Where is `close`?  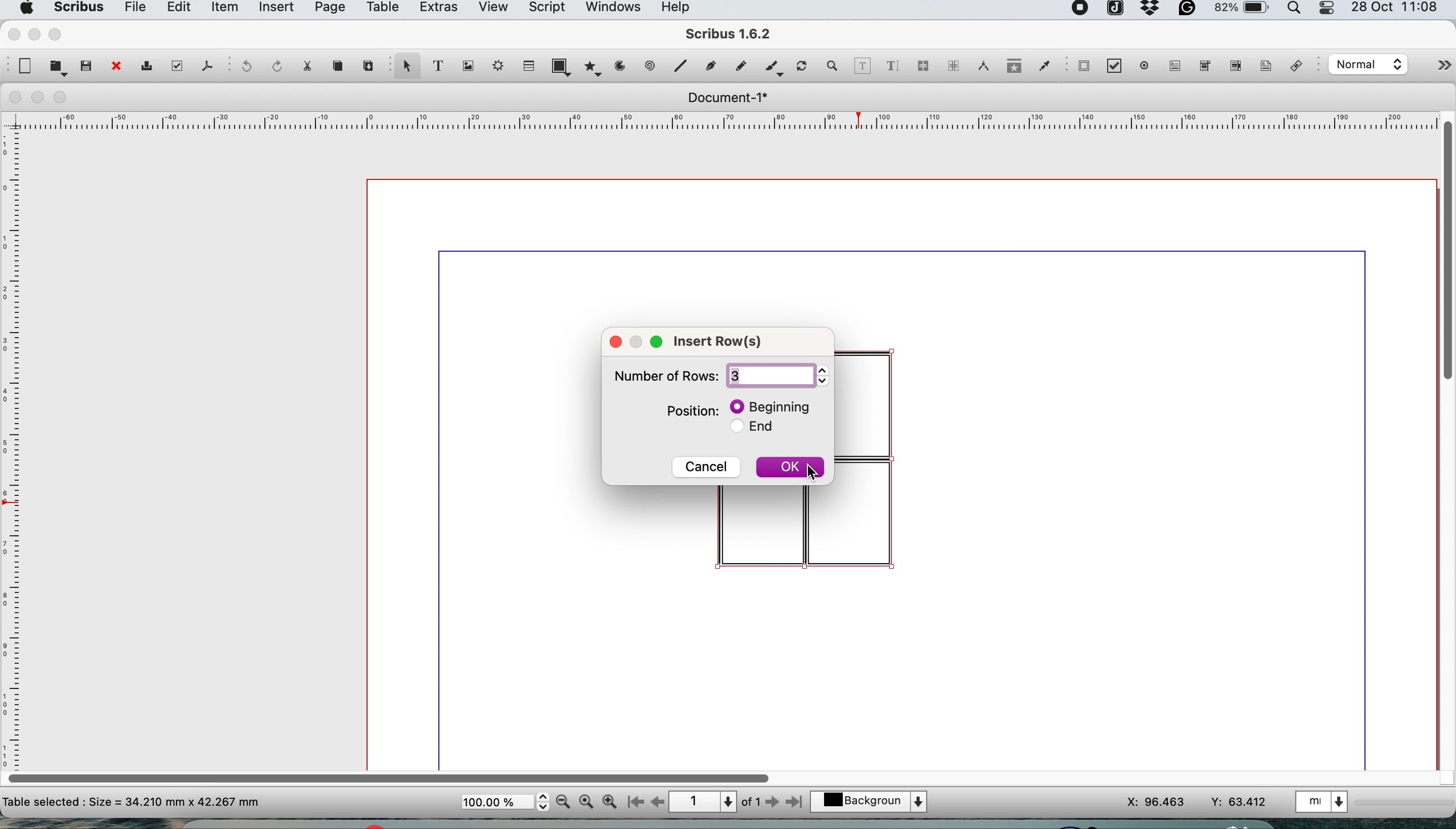 close is located at coordinates (12, 33).